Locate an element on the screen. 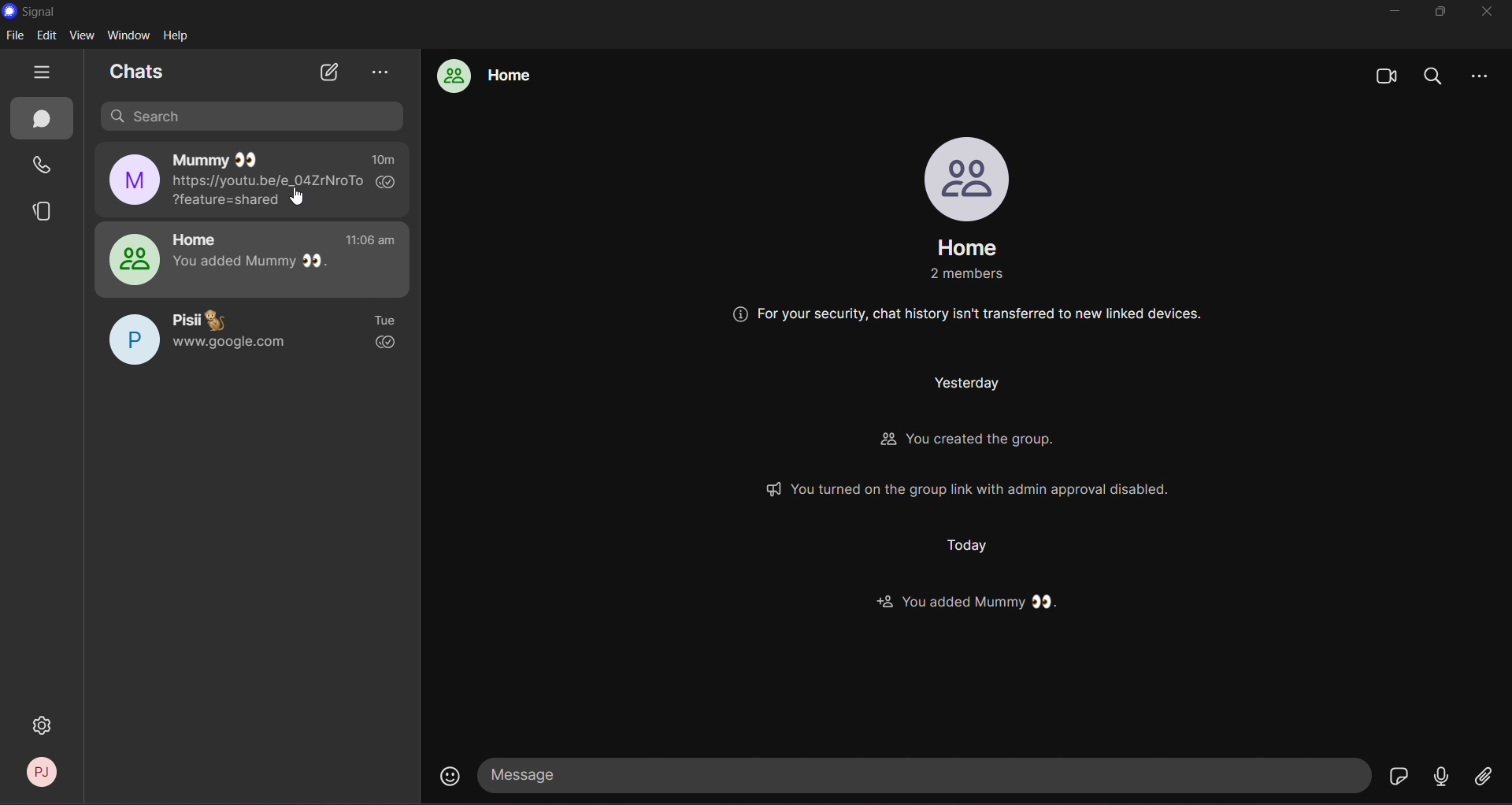  number of members in group is located at coordinates (965, 275).